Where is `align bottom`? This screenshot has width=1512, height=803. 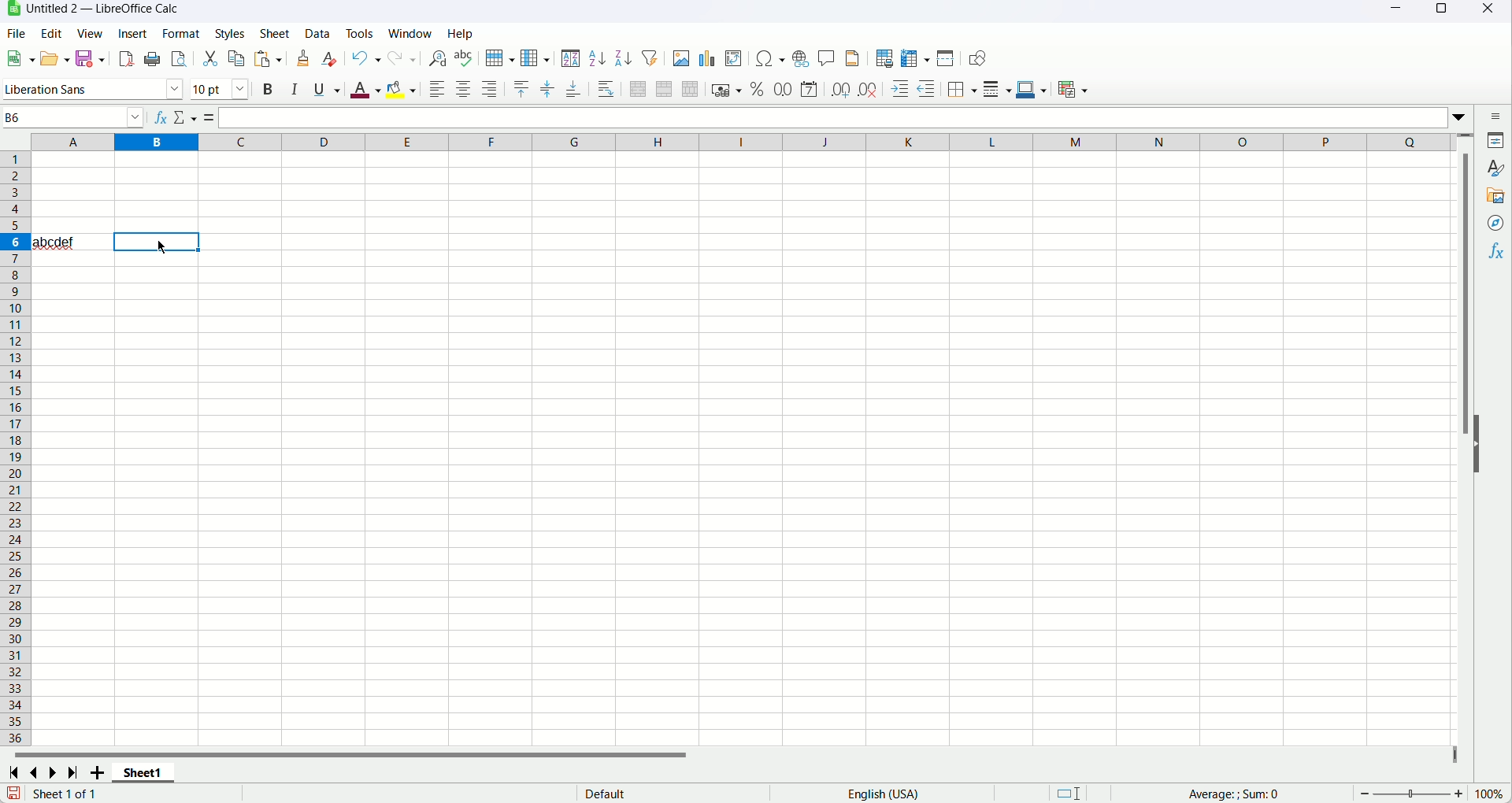
align bottom is located at coordinates (573, 90).